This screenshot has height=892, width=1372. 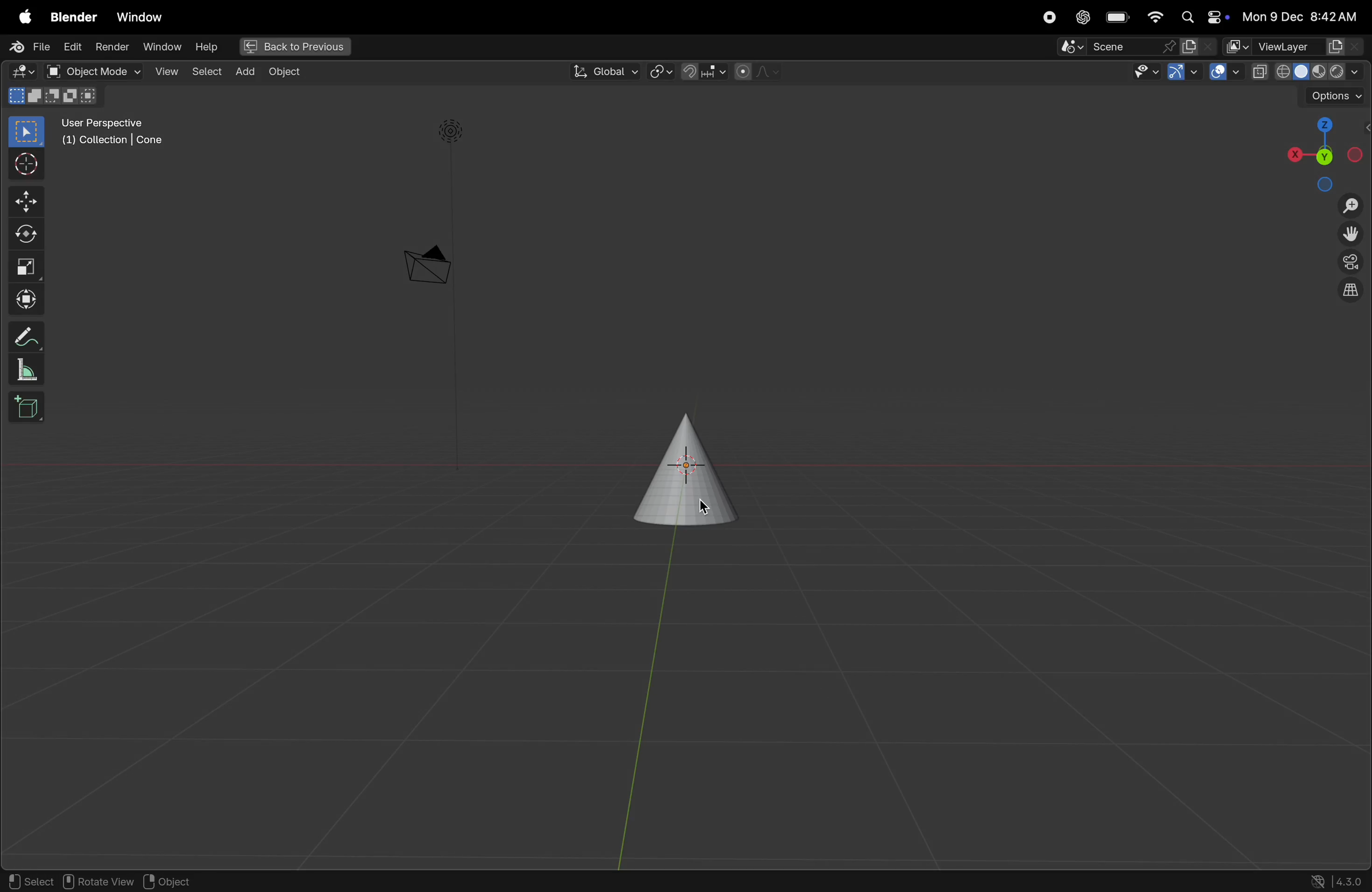 I want to click on show gimzo, so click(x=1181, y=73).